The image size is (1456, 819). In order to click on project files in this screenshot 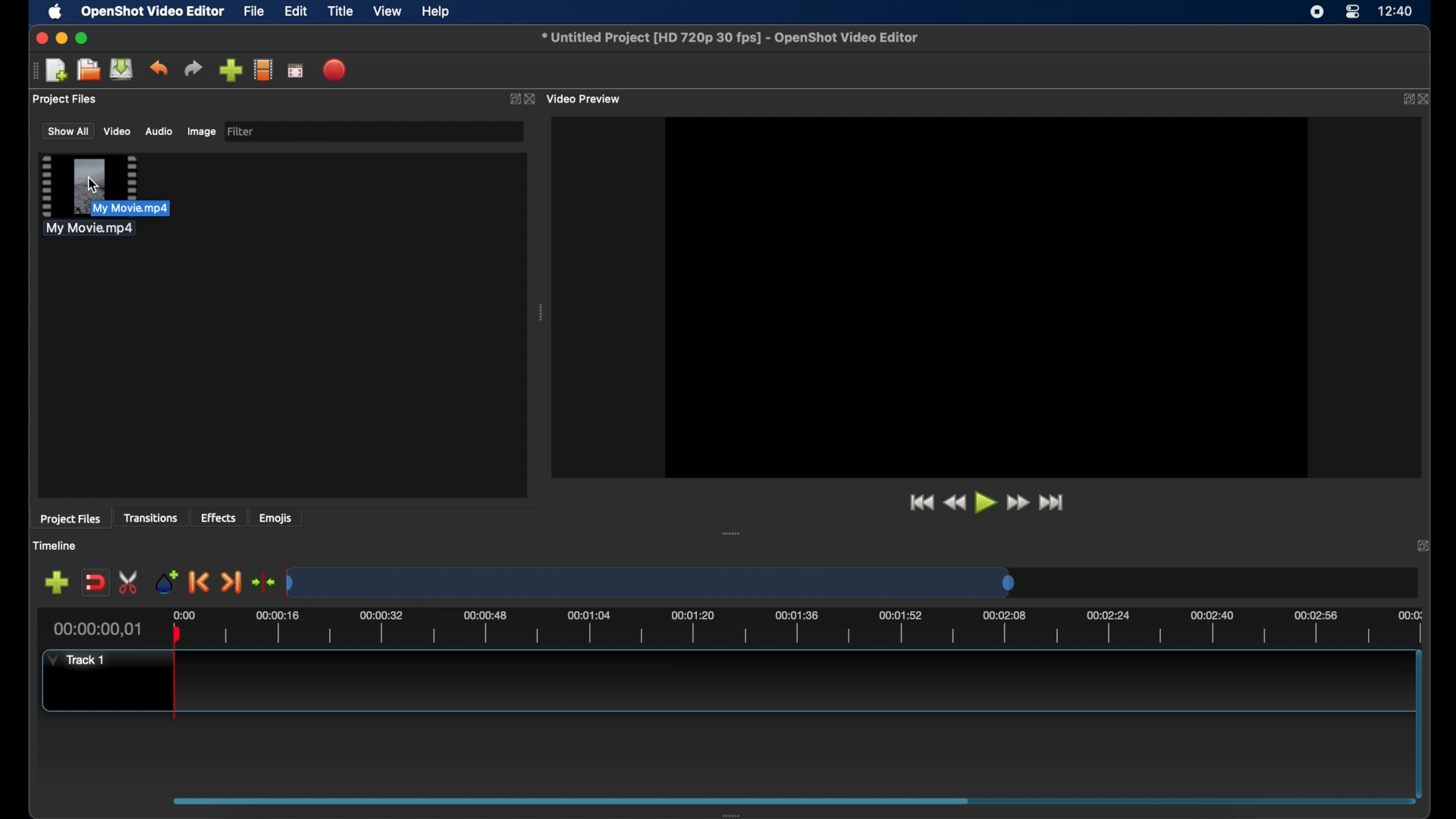, I will do `click(71, 519)`.